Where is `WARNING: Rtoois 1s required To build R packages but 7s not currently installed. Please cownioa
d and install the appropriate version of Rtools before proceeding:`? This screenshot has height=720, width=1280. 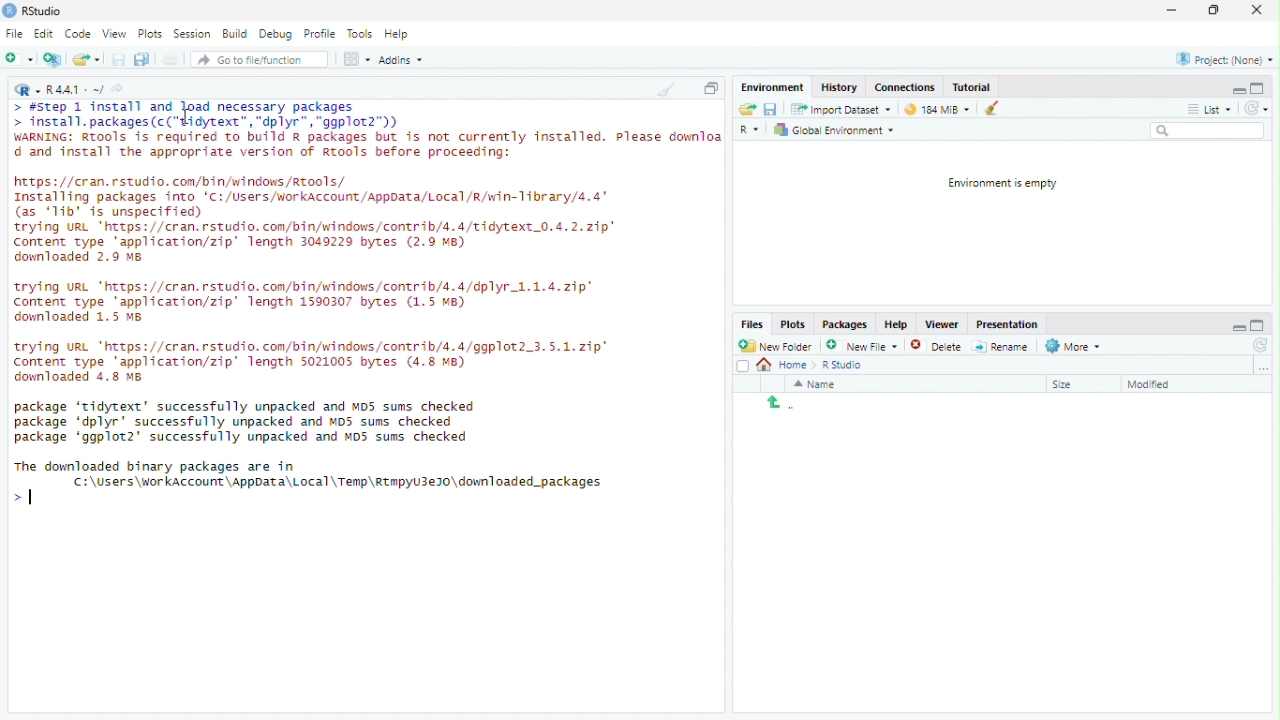
WARNING: Rtoois 1s required To build R packages but 7s not currently installed. Please cownioa
d and install the appropriate version of Rtools before proceeding: is located at coordinates (366, 147).